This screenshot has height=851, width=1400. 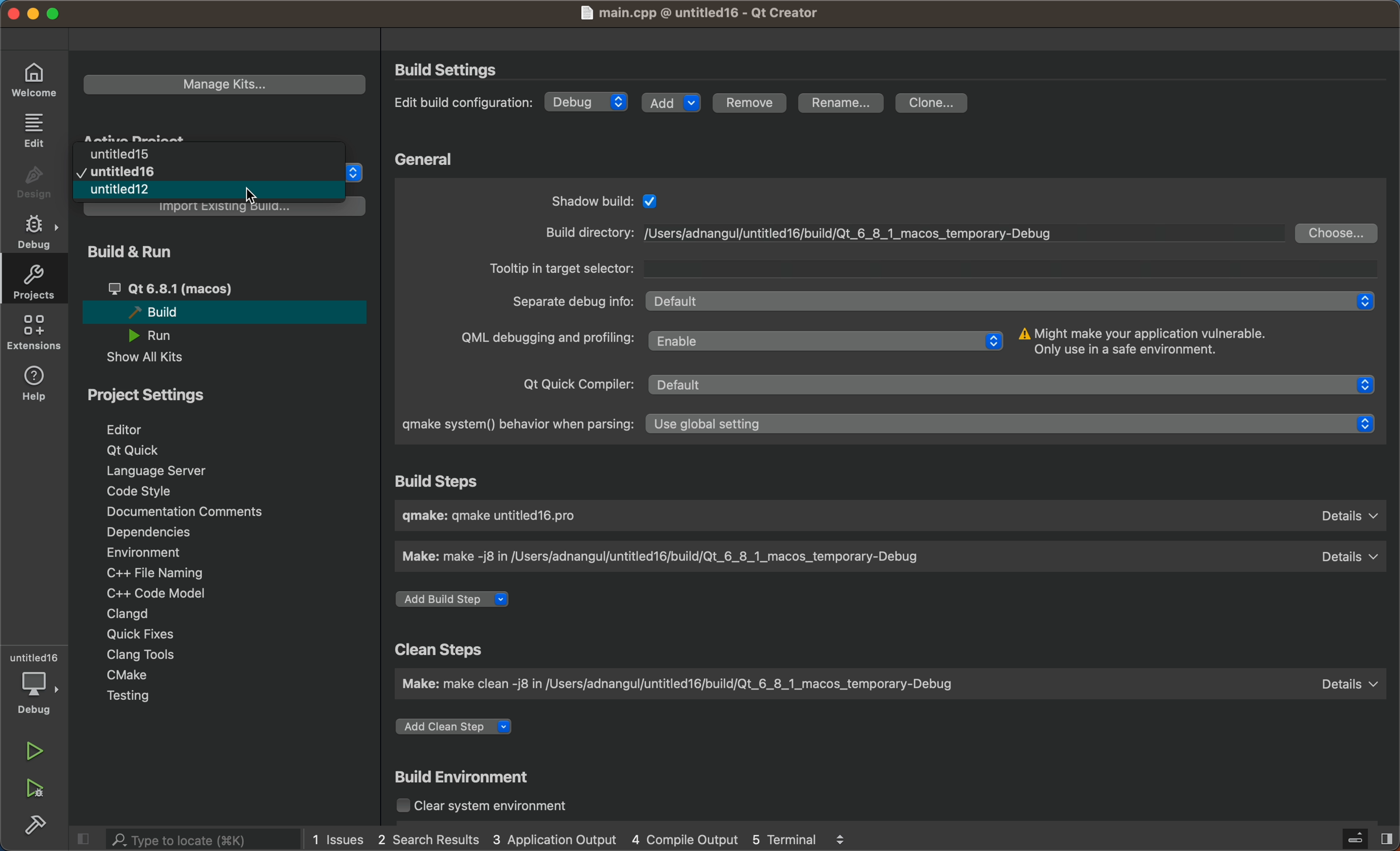 What do you see at coordinates (225, 304) in the screenshot?
I see `run and build` at bounding box center [225, 304].